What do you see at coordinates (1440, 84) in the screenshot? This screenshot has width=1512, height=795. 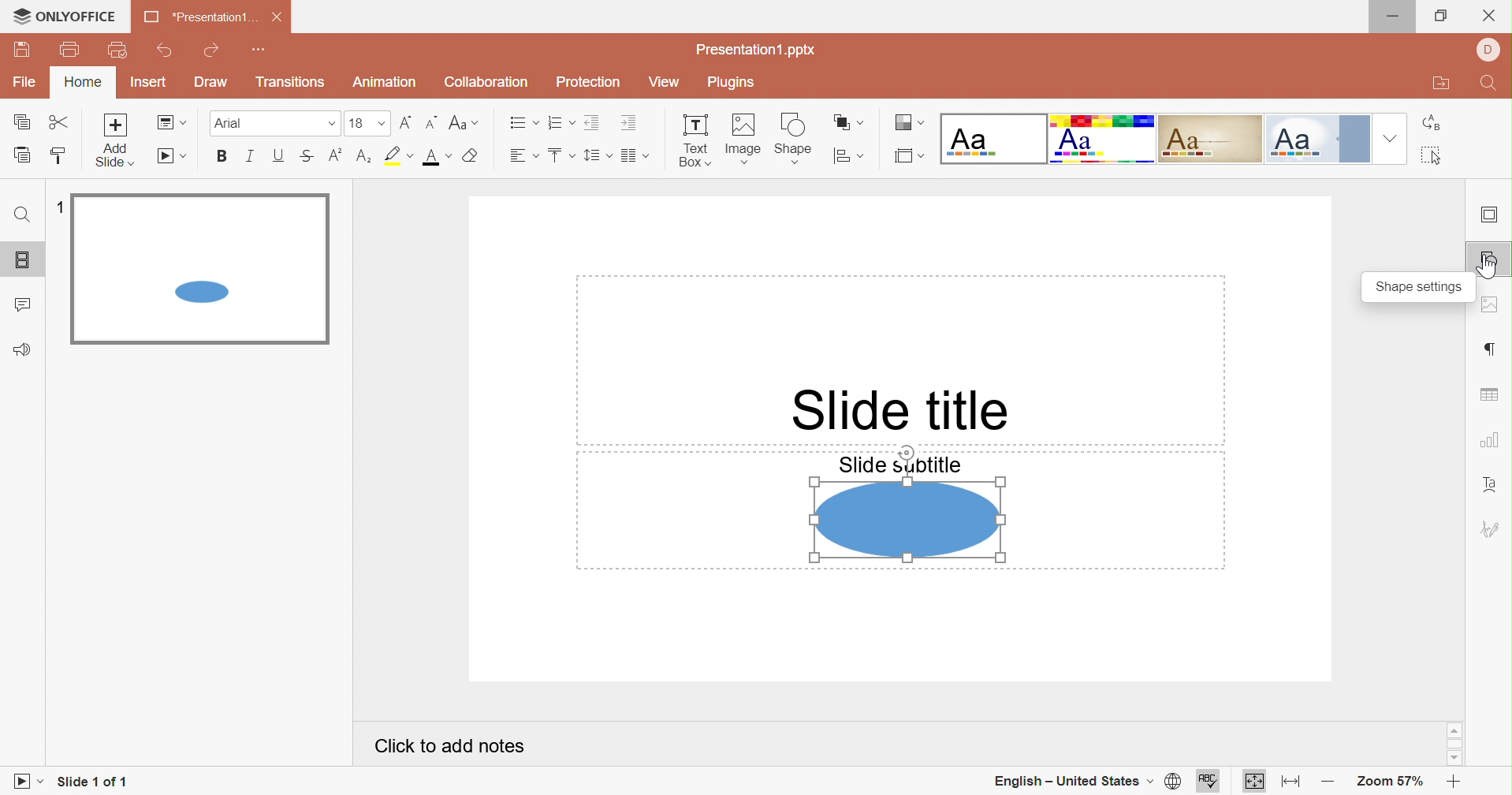 I see `Open file location` at bounding box center [1440, 84].